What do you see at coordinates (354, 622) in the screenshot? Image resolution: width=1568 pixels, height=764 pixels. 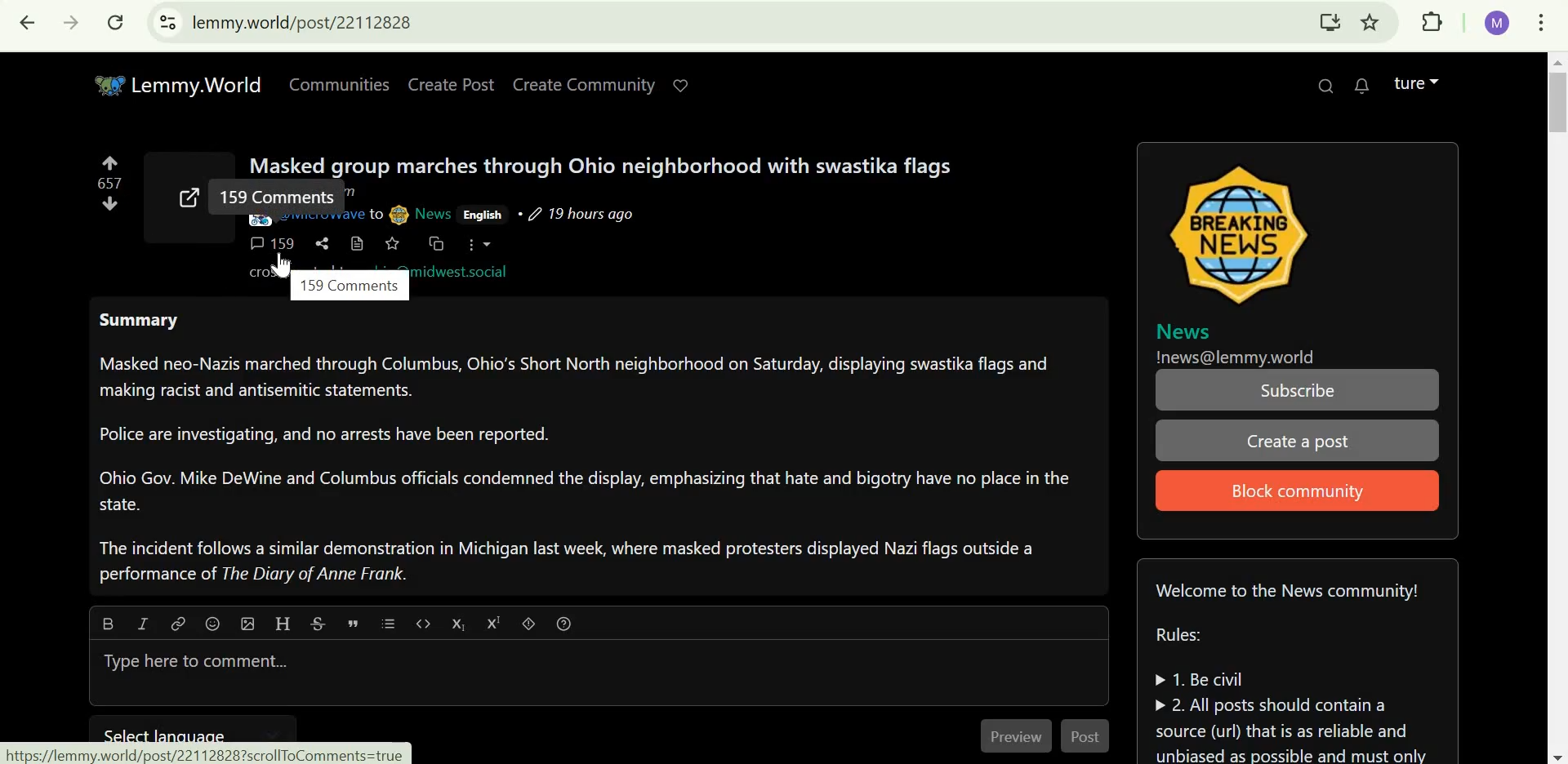 I see `quote` at bounding box center [354, 622].